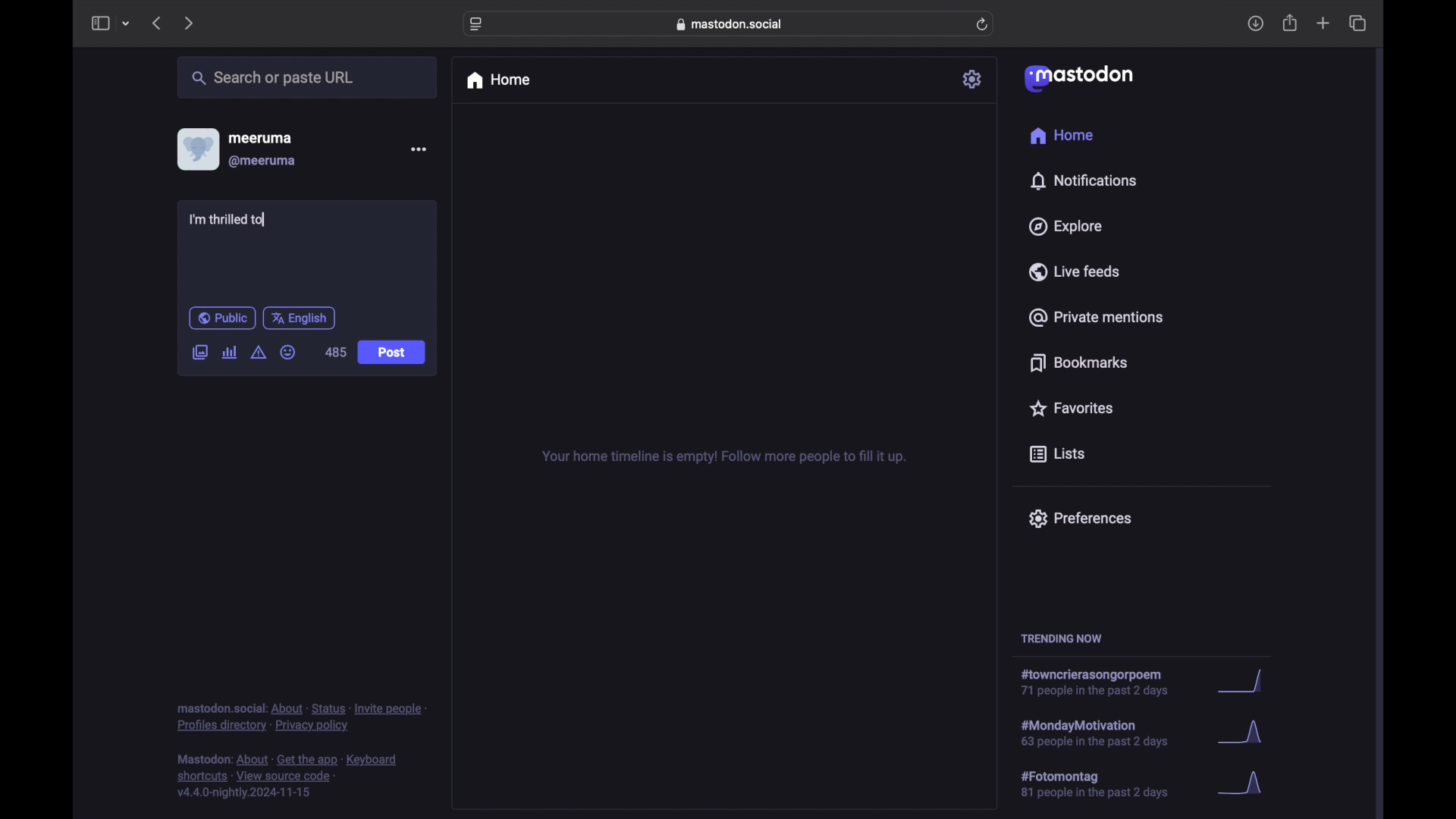 The image size is (1456, 819). I want to click on share or paste url, so click(273, 77).